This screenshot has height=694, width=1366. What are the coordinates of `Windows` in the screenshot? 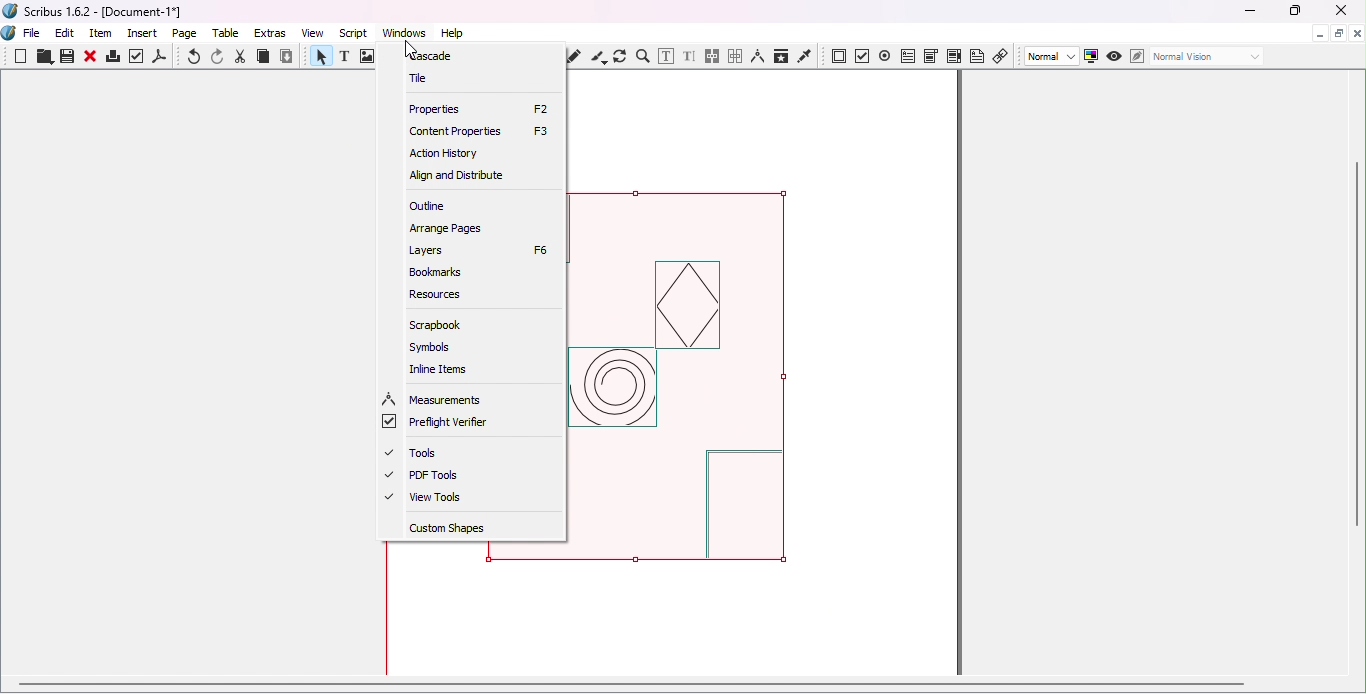 It's located at (404, 33).